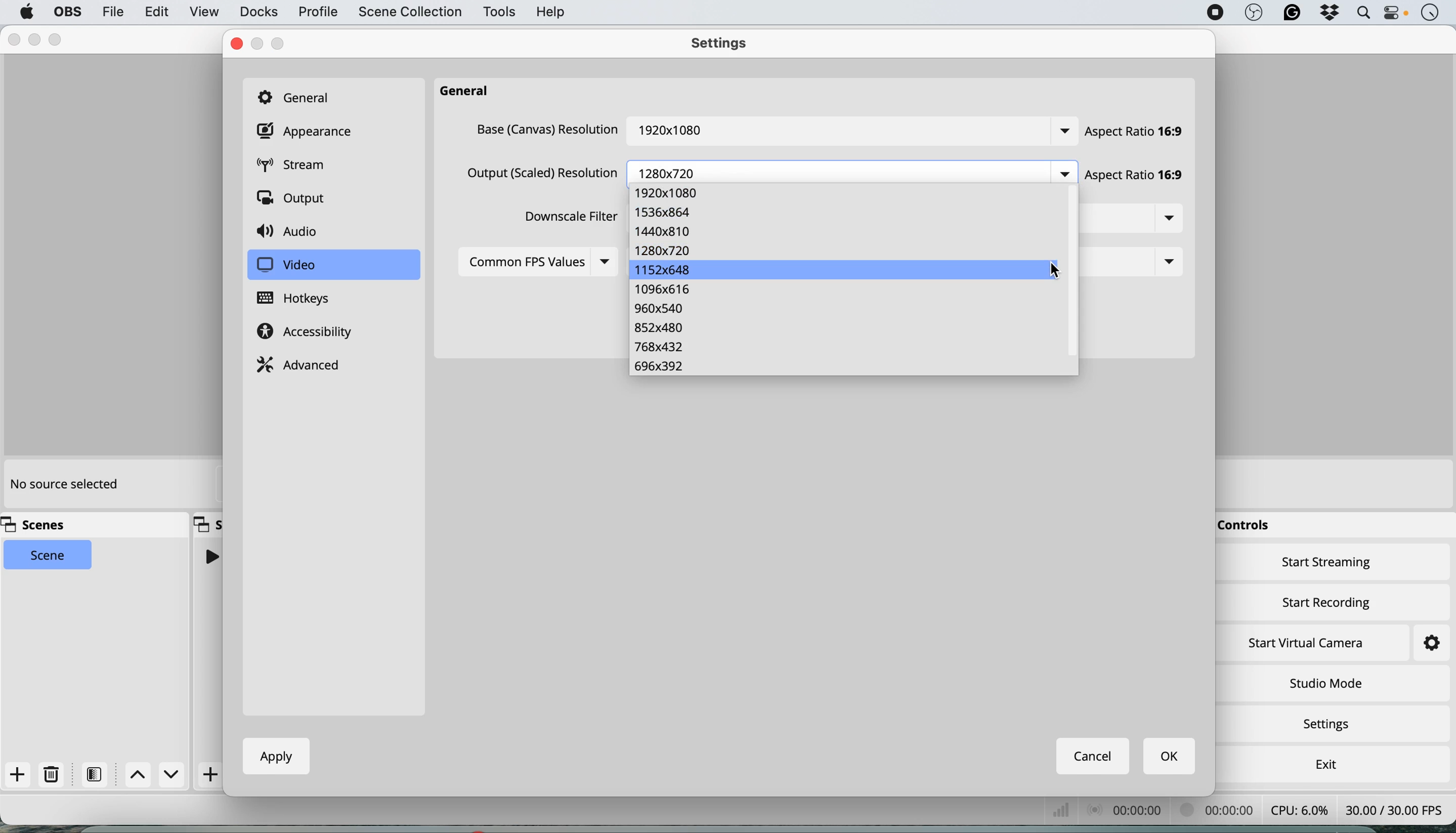 The image size is (1456, 833). I want to click on audio, so click(292, 232).